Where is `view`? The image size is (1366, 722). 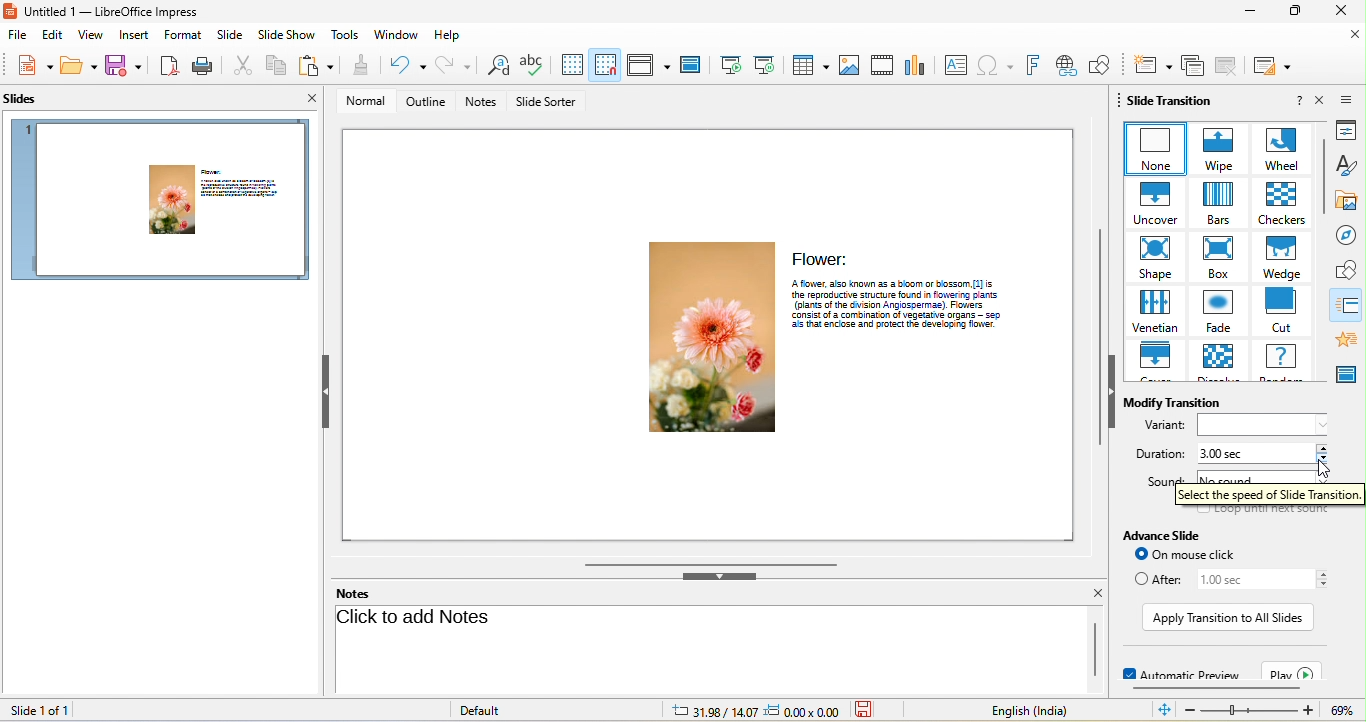
view is located at coordinates (90, 35).